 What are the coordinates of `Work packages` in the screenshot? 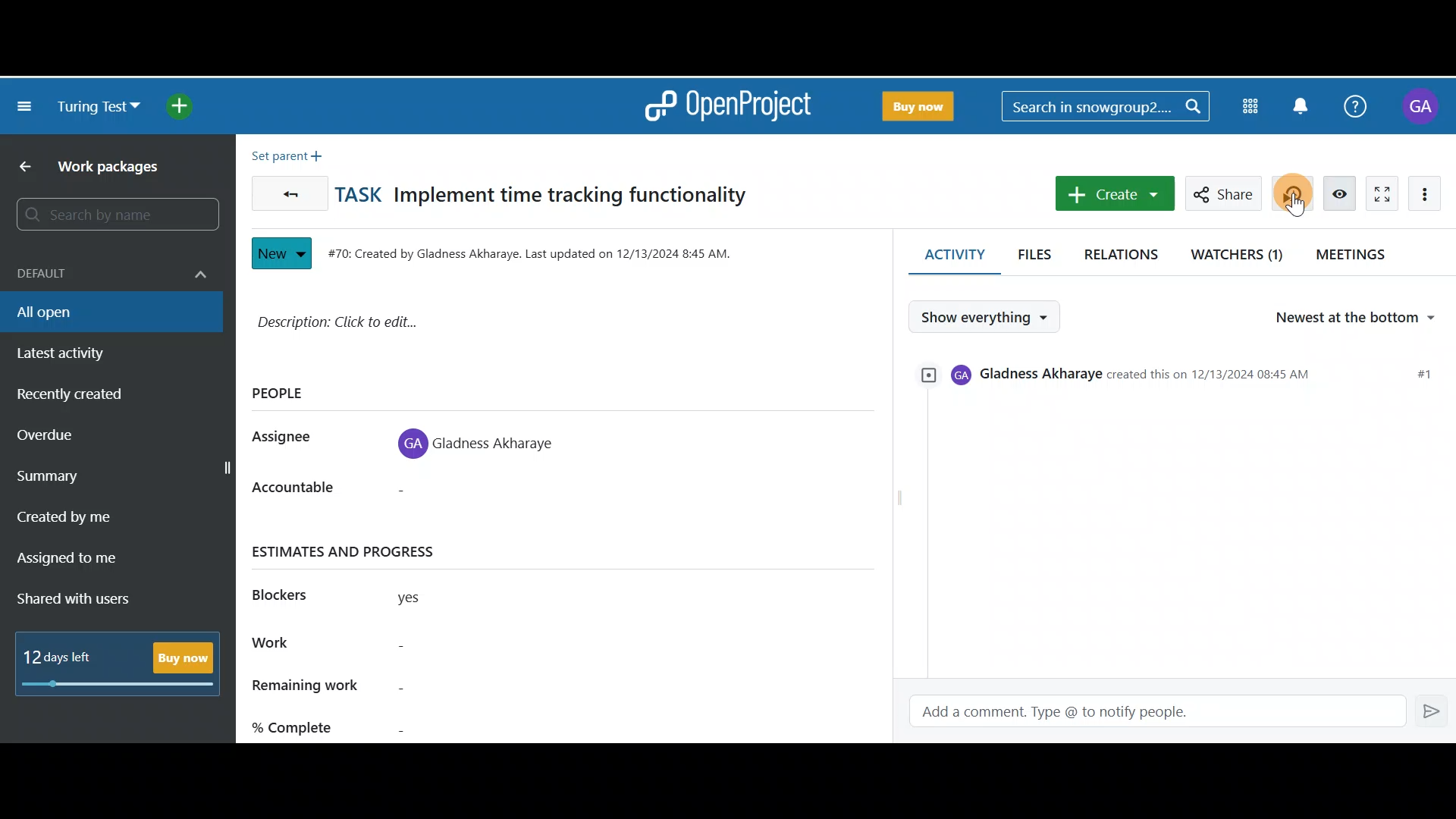 It's located at (115, 170).